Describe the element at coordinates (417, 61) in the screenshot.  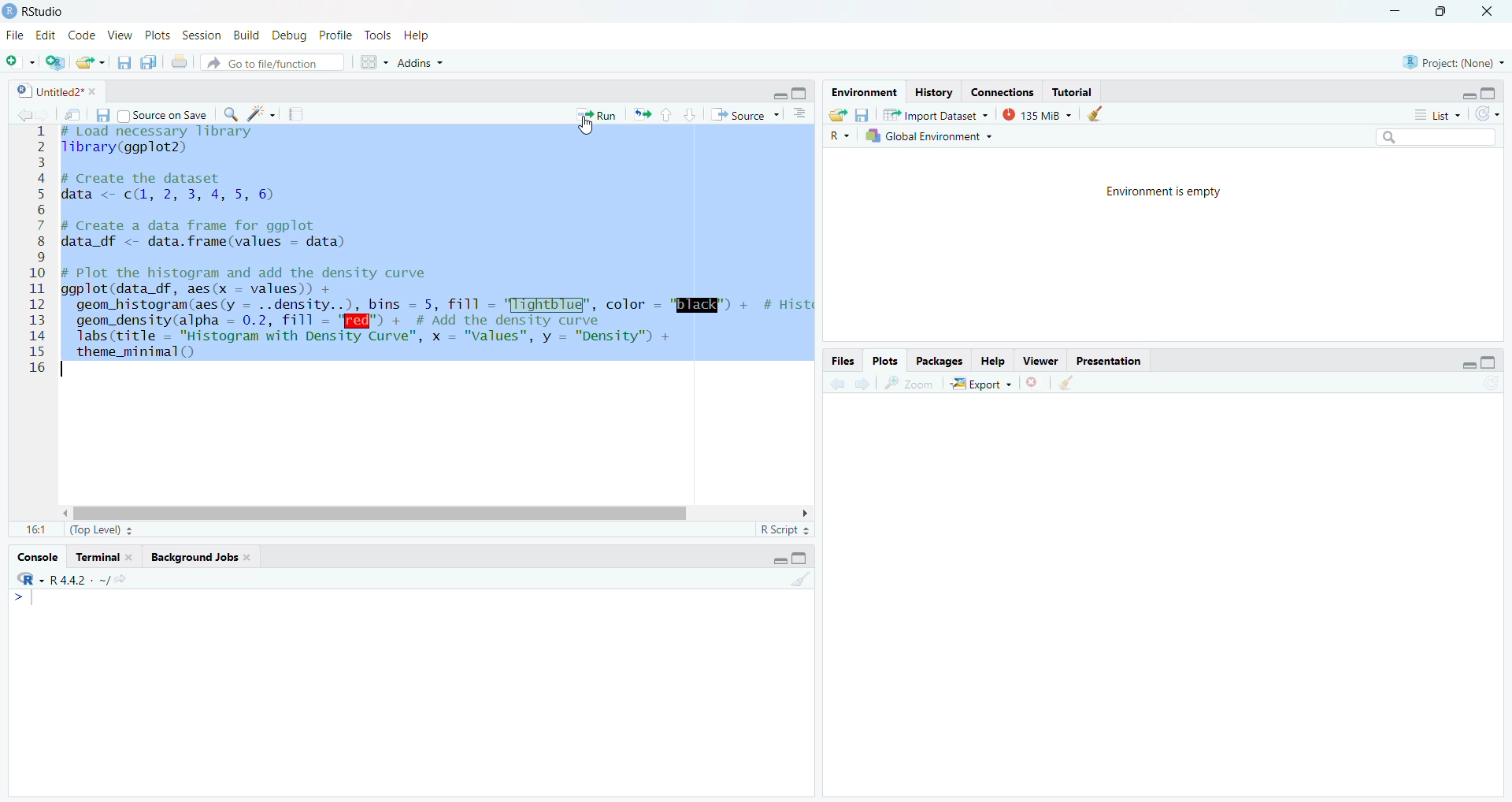
I see `Addins` at that location.